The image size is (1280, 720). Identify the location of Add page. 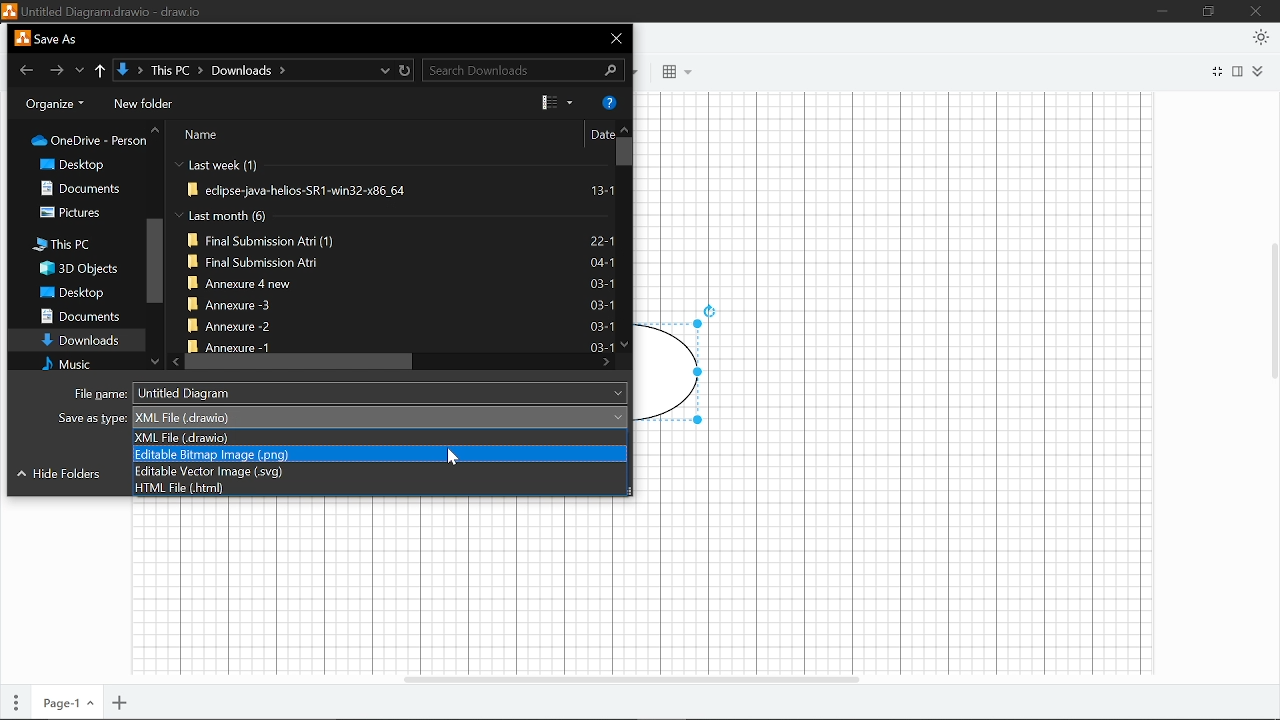
(121, 701).